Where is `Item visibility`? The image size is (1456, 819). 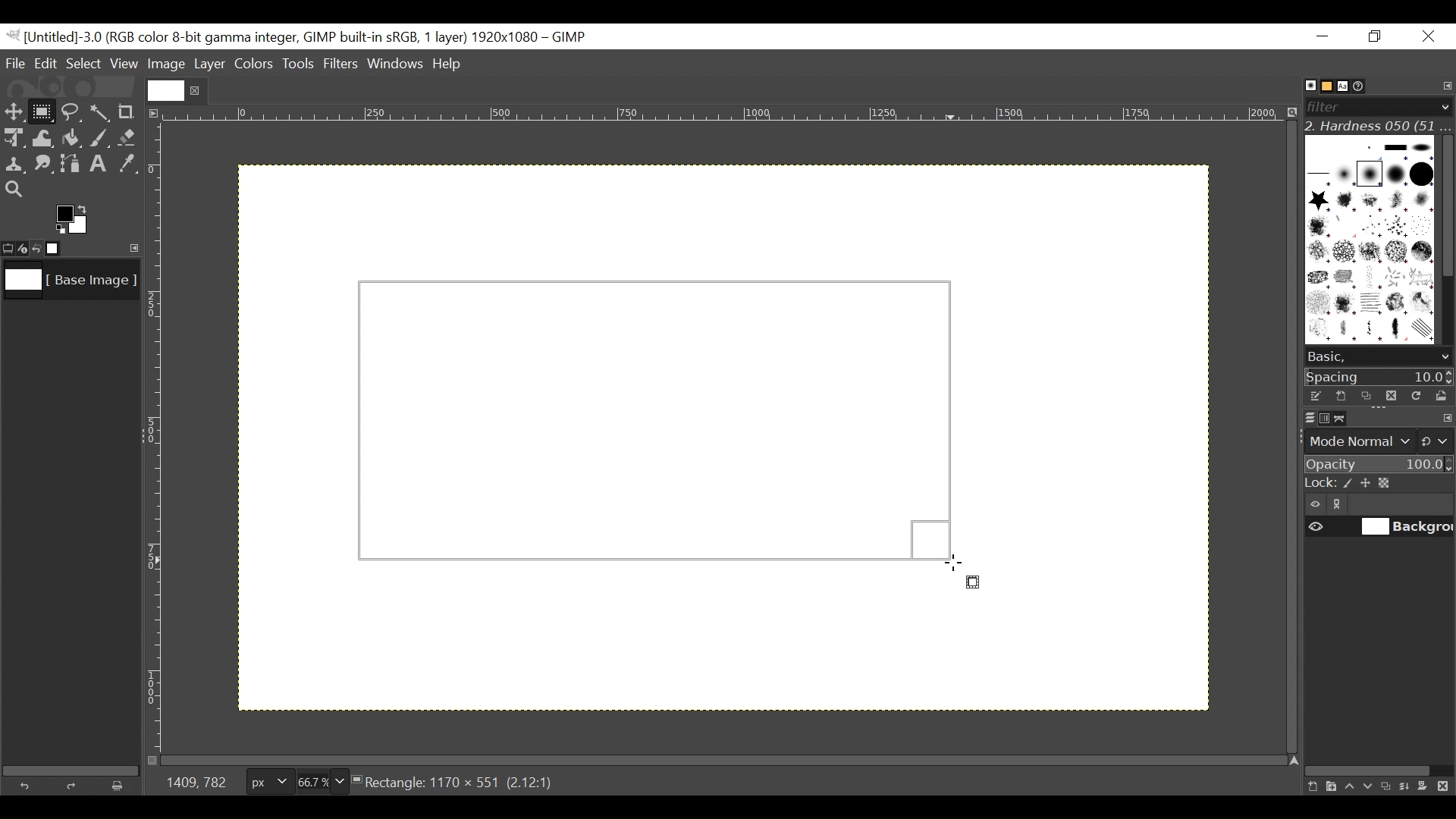
Item visibility is located at coordinates (1316, 505).